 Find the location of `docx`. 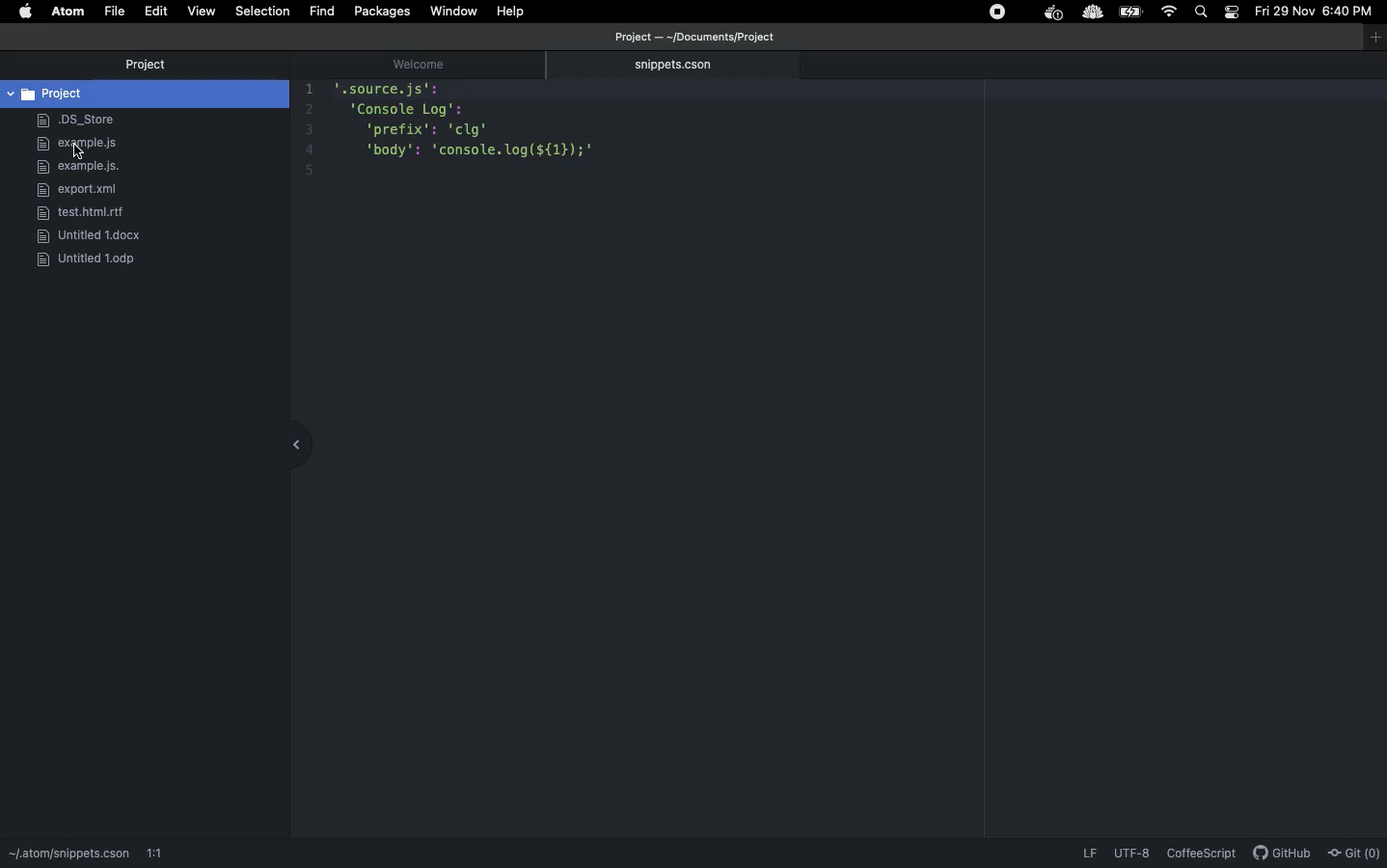

docx is located at coordinates (91, 234).